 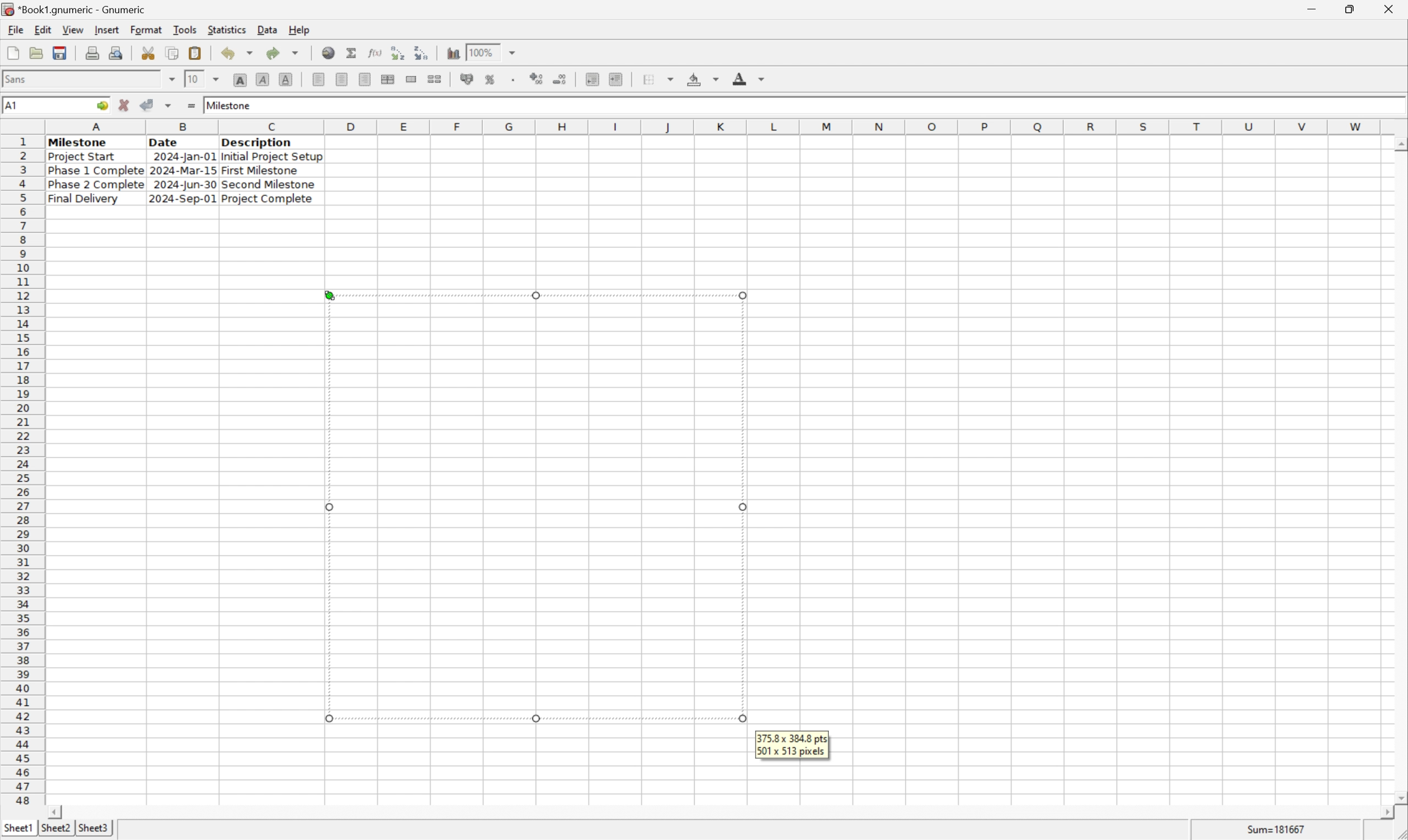 I want to click on redo, so click(x=285, y=52).